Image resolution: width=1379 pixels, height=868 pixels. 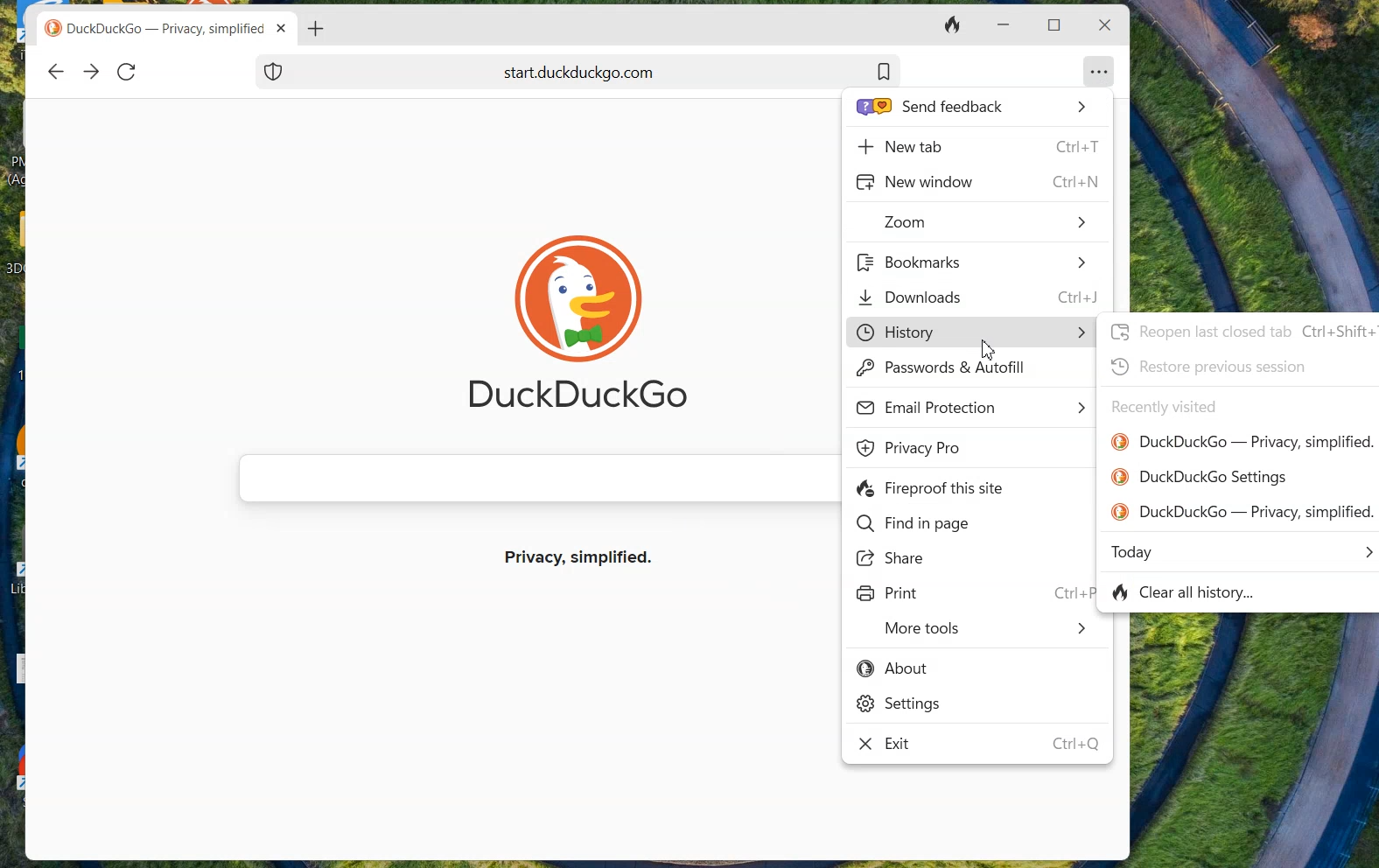 I want to click on Find in page, so click(x=913, y=525).